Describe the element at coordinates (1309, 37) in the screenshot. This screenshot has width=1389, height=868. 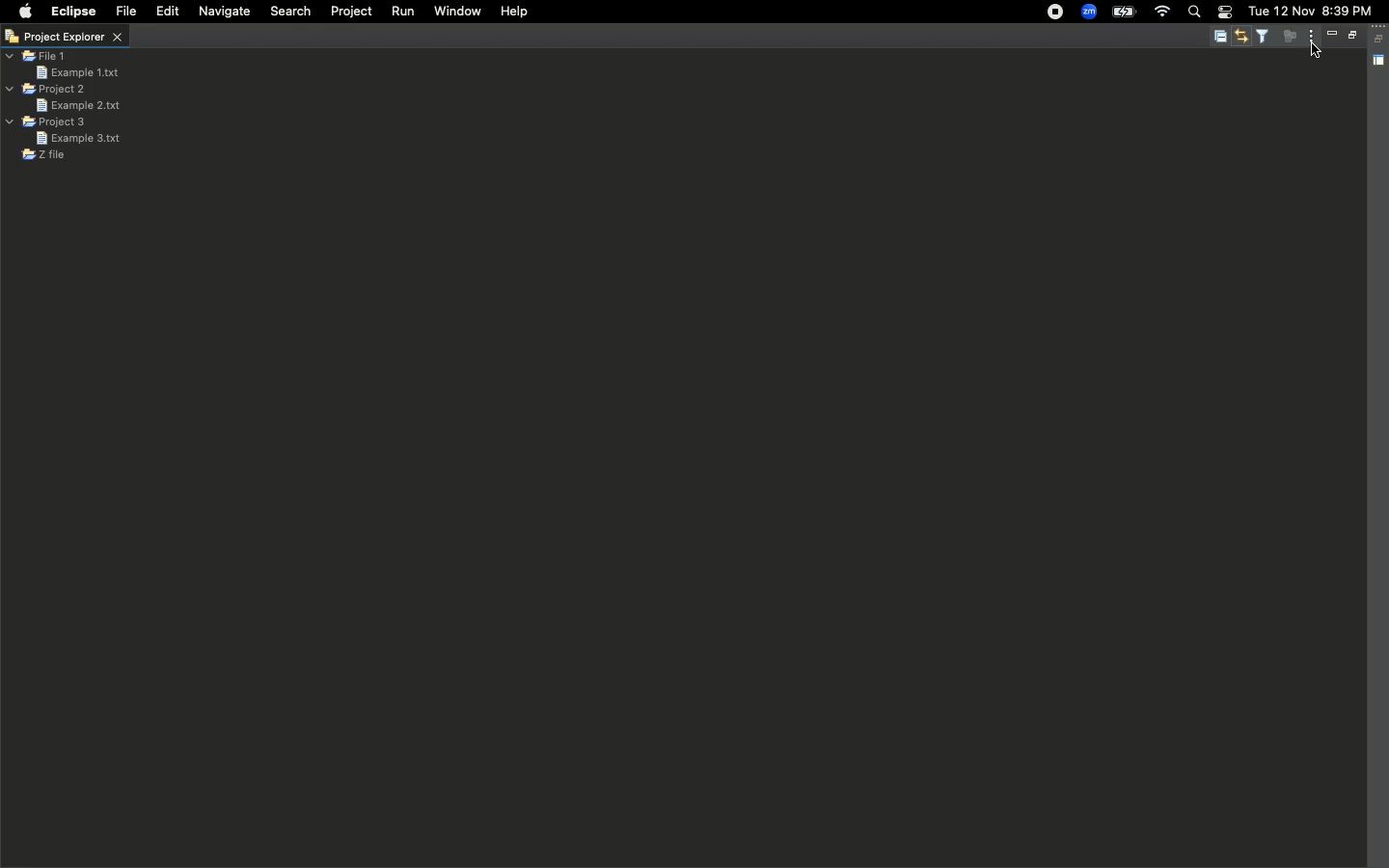
I see `View menu` at that location.